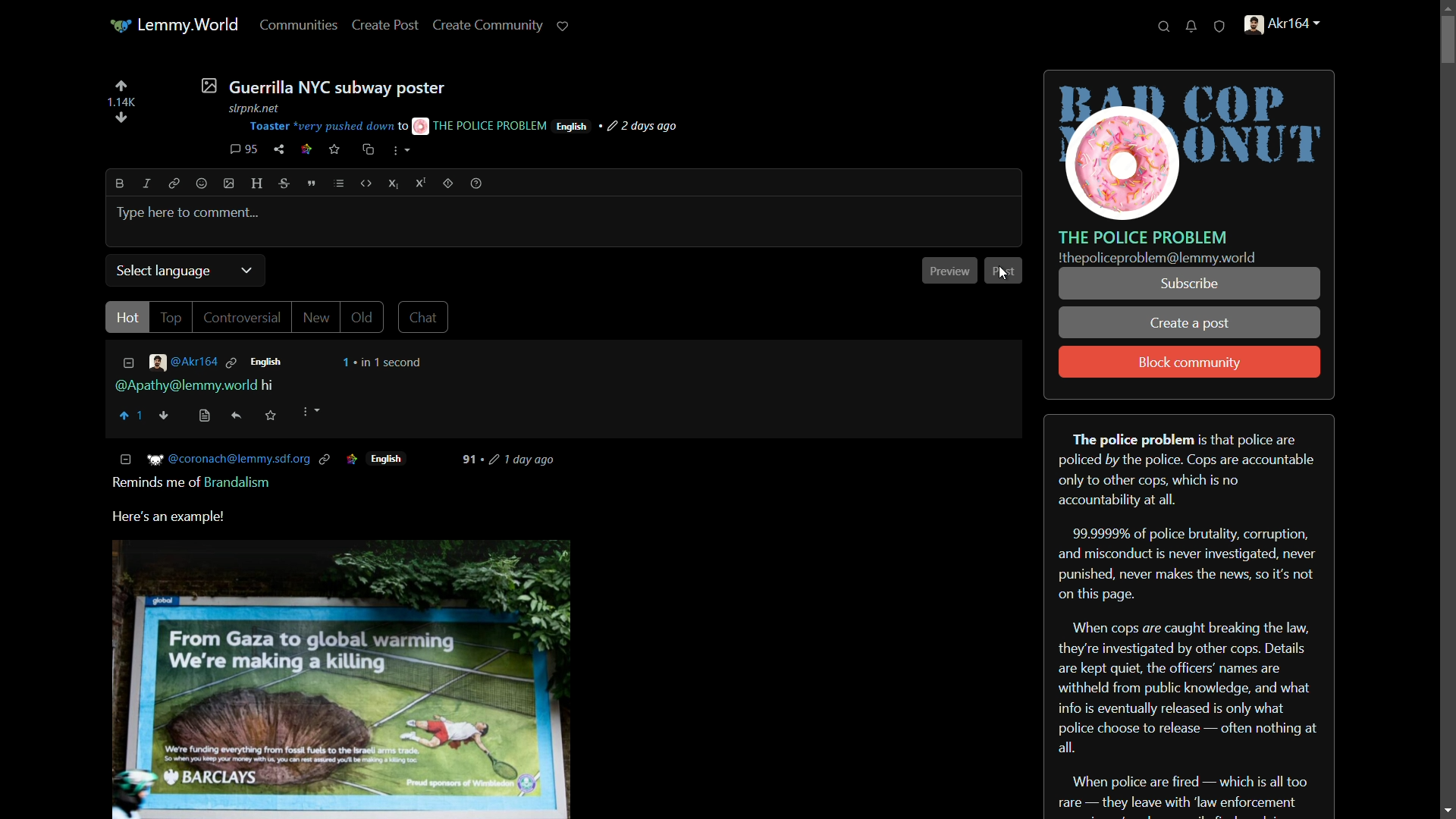 The height and width of the screenshot is (819, 1456). I want to click on subscribe, so click(1188, 284).